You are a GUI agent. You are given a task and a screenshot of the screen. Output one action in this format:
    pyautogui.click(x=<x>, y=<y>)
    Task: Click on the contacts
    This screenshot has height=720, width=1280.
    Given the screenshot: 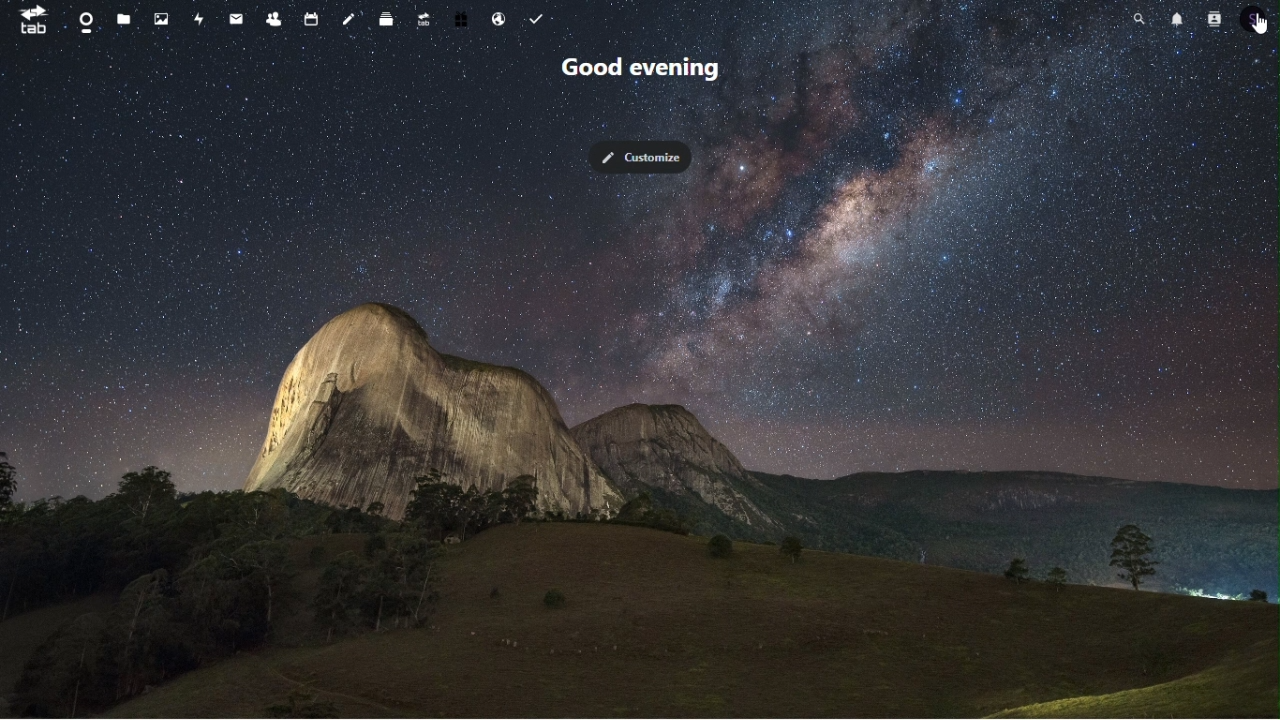 What is the action you would take?
    pyautogui.click(x=274, y=17)
    